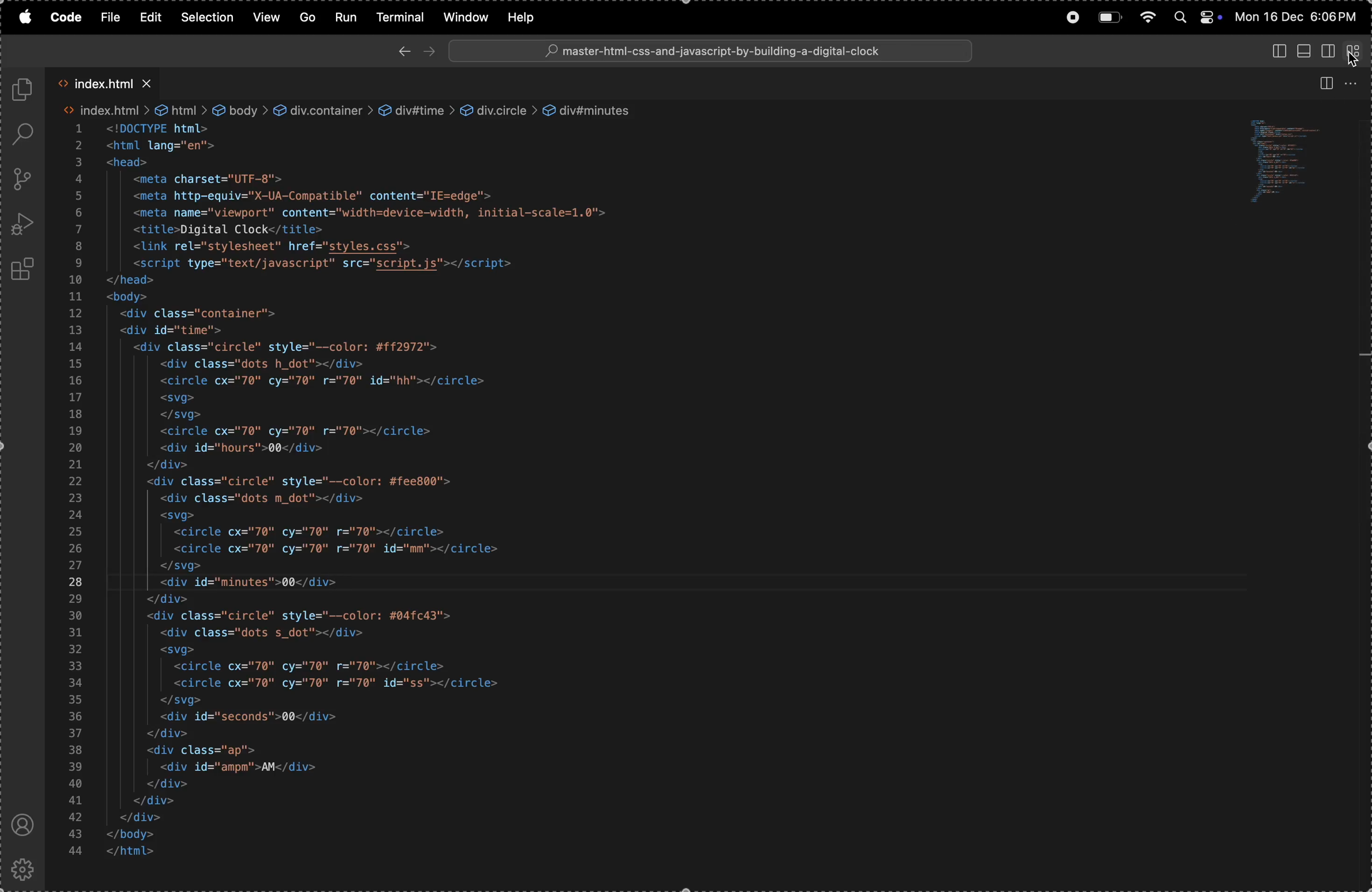 The image size is (1372, 892). I want to click on run, so click(346, 18).